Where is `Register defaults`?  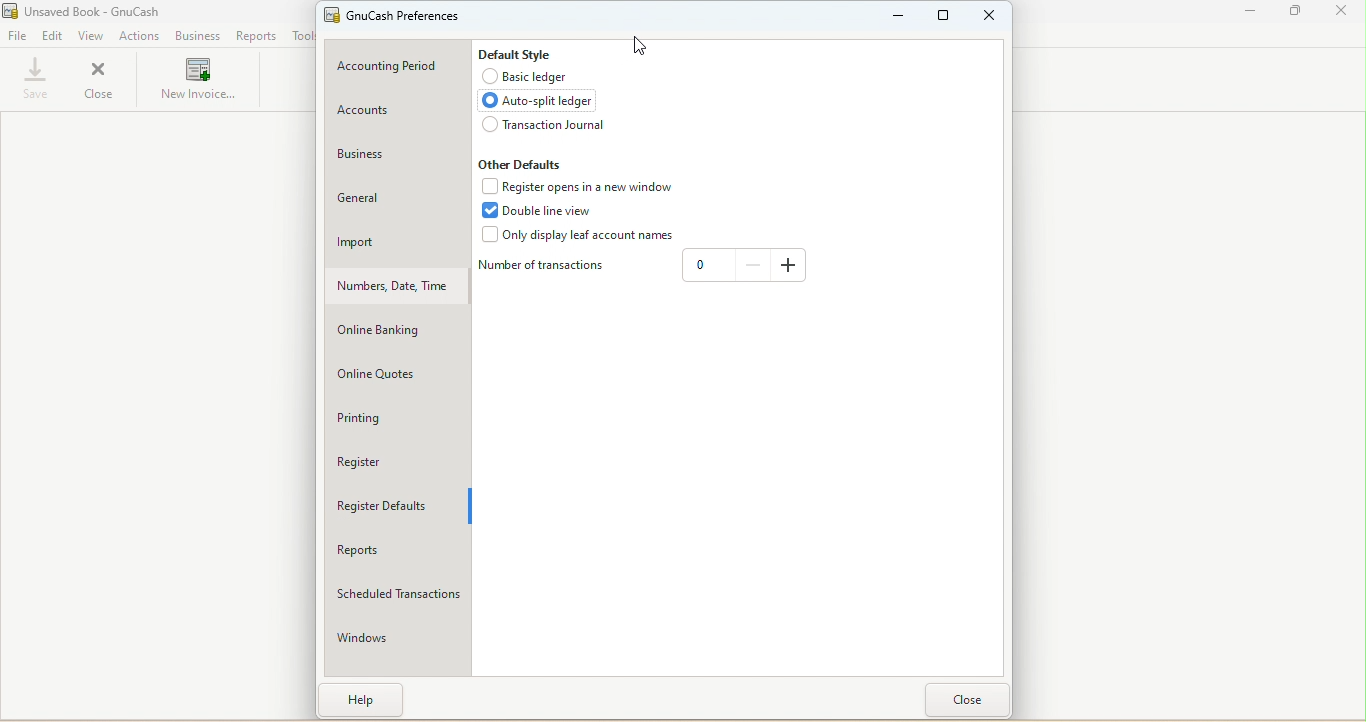
Register defaults is located at coordinates (396, 504).